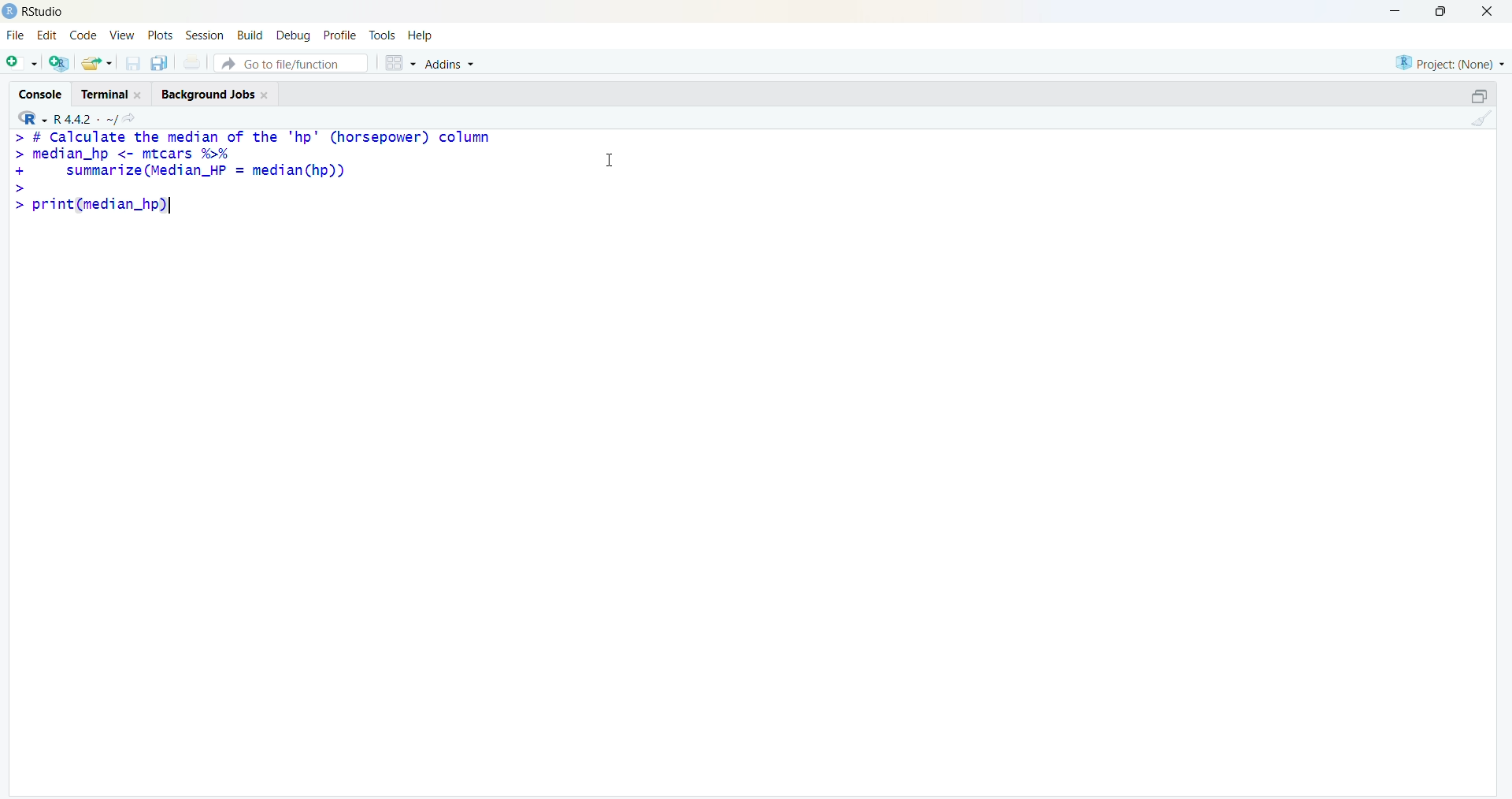  What do you see at coordinates (139, 95) in the screenshot?
I see `Close ` at bounding box center [139, 95].